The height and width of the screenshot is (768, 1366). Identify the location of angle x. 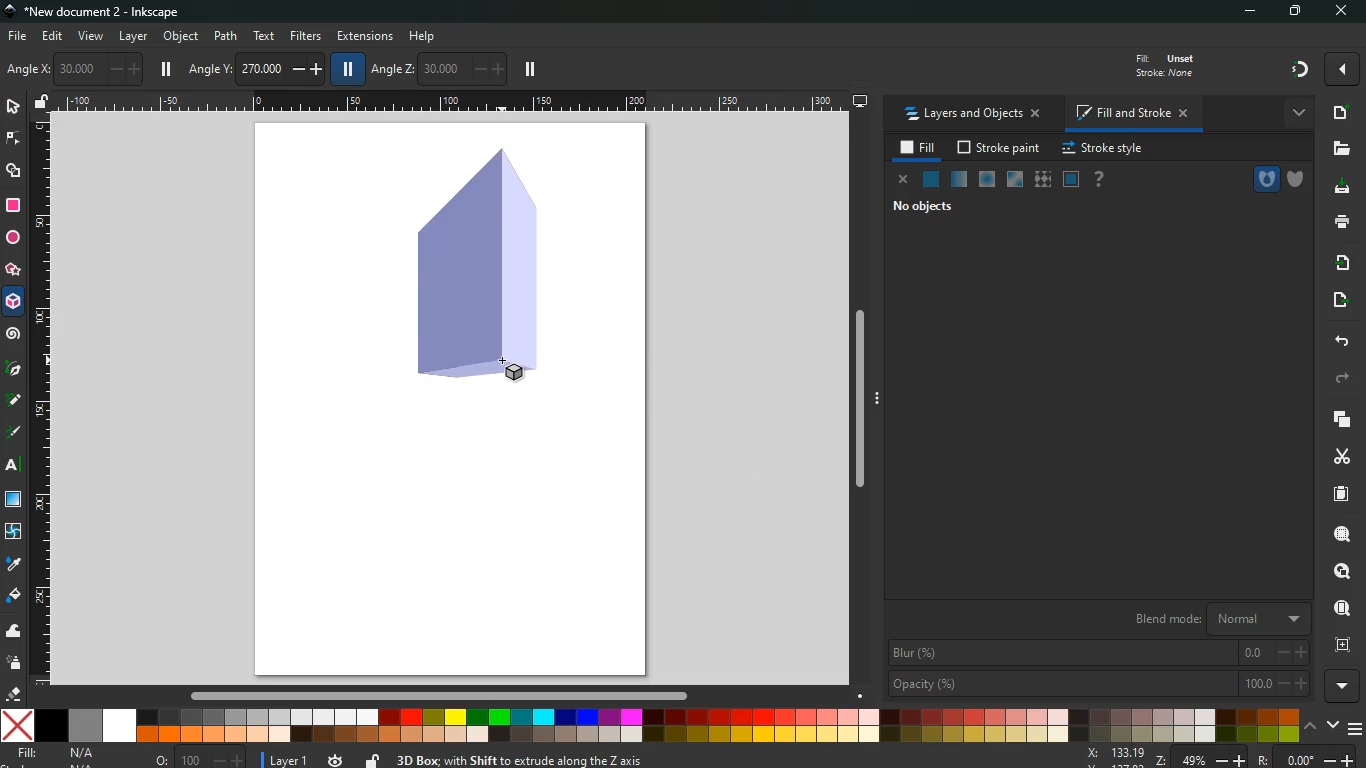
(82, 69).